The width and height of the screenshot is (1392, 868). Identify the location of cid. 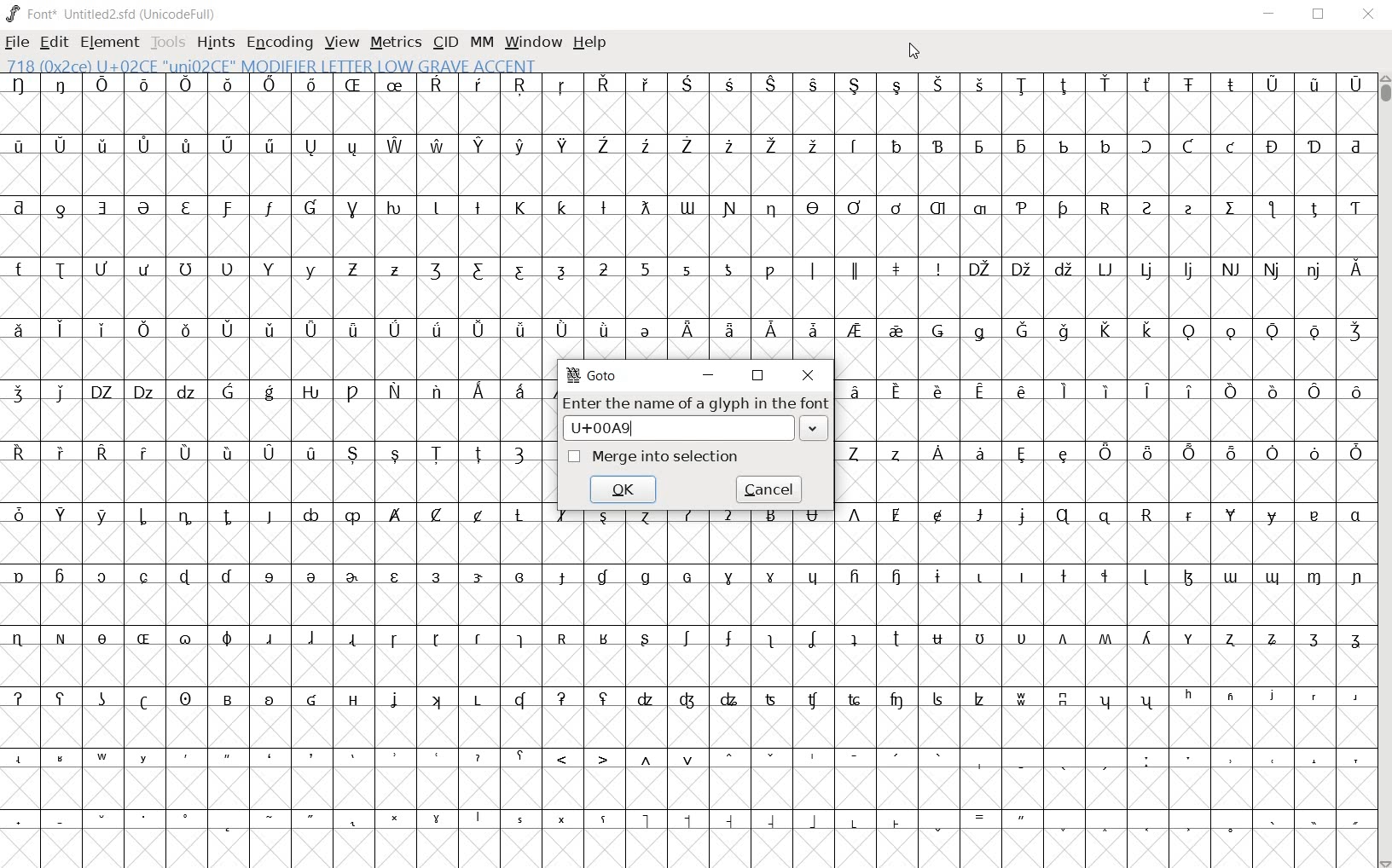
(444, 43).